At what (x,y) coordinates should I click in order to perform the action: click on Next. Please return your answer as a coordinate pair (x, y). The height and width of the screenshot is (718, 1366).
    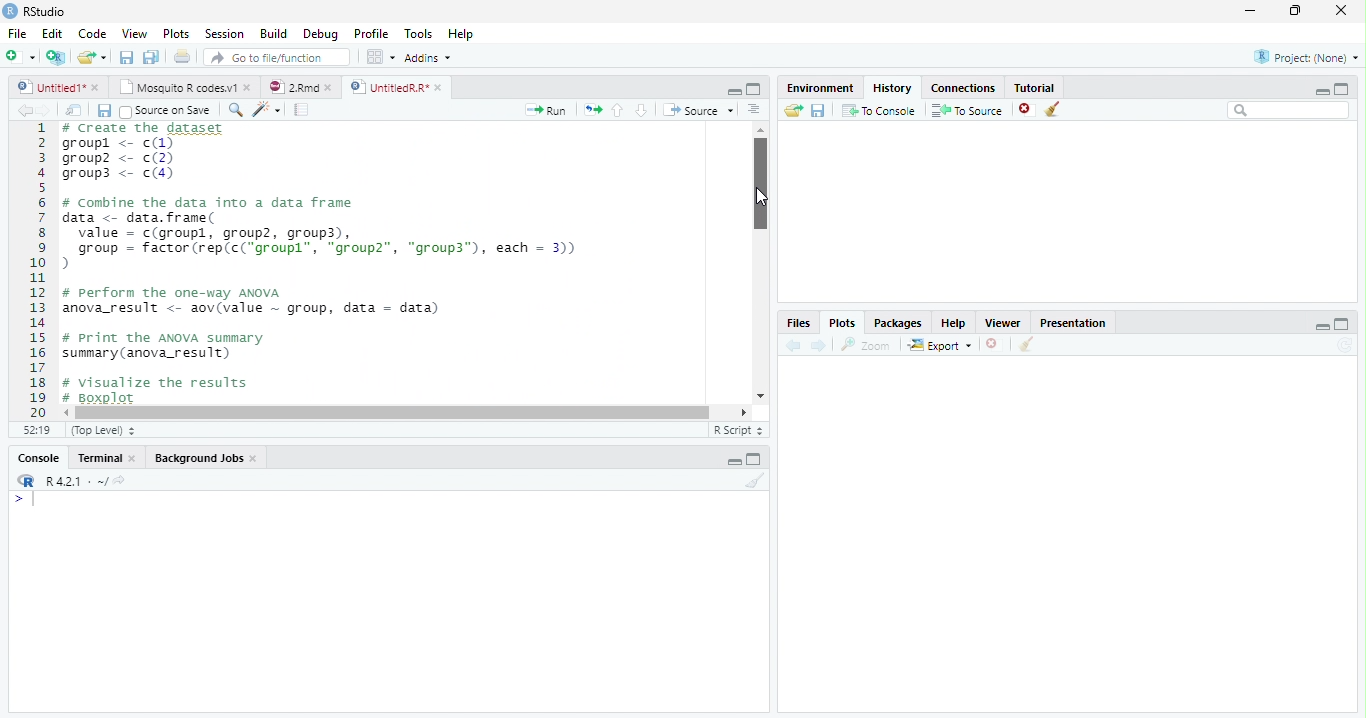
    Looking at the image, I should click on (819, 346).